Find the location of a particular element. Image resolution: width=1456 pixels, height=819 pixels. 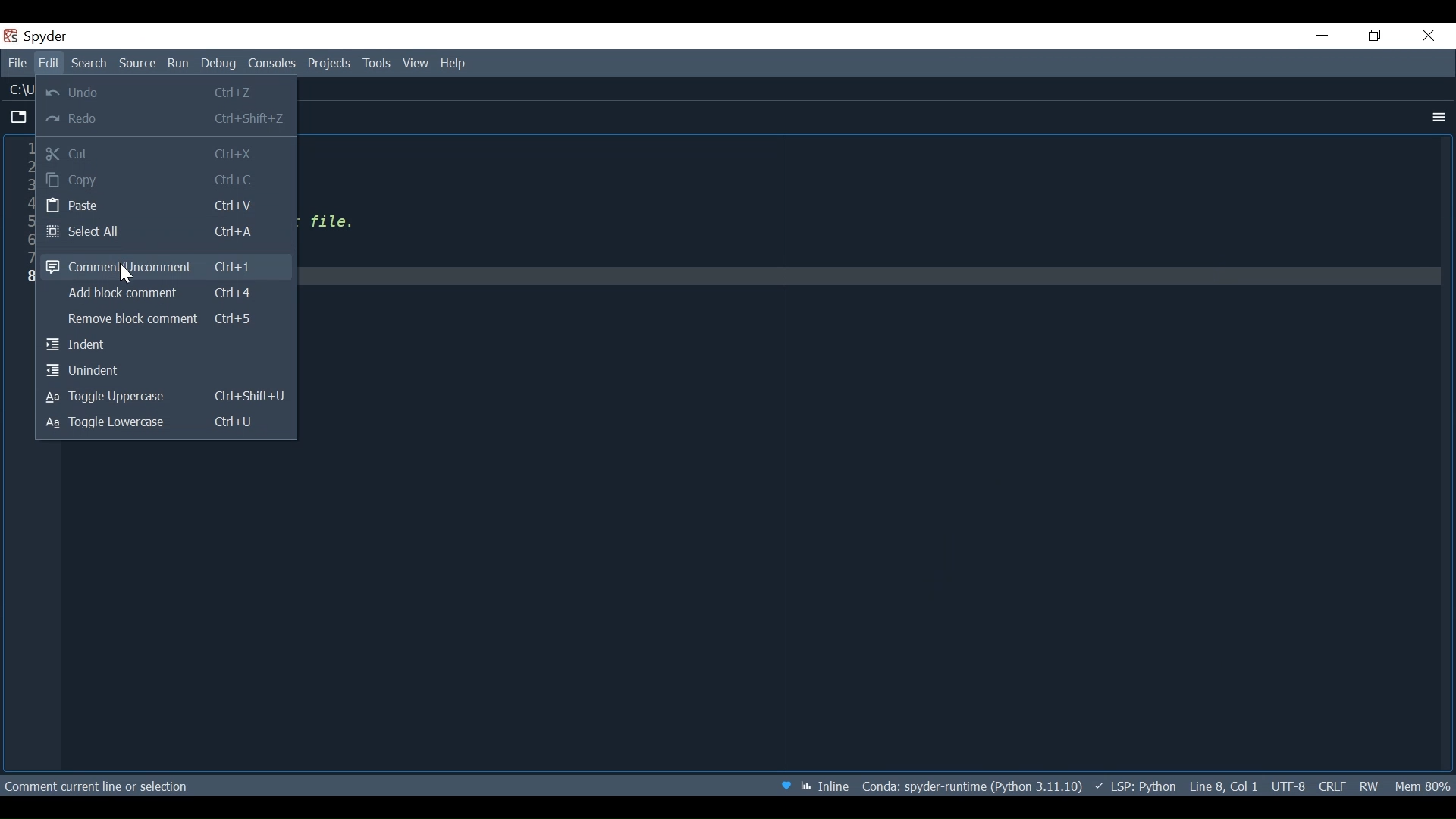

Remove block comment is located at coordinates (163, 322).